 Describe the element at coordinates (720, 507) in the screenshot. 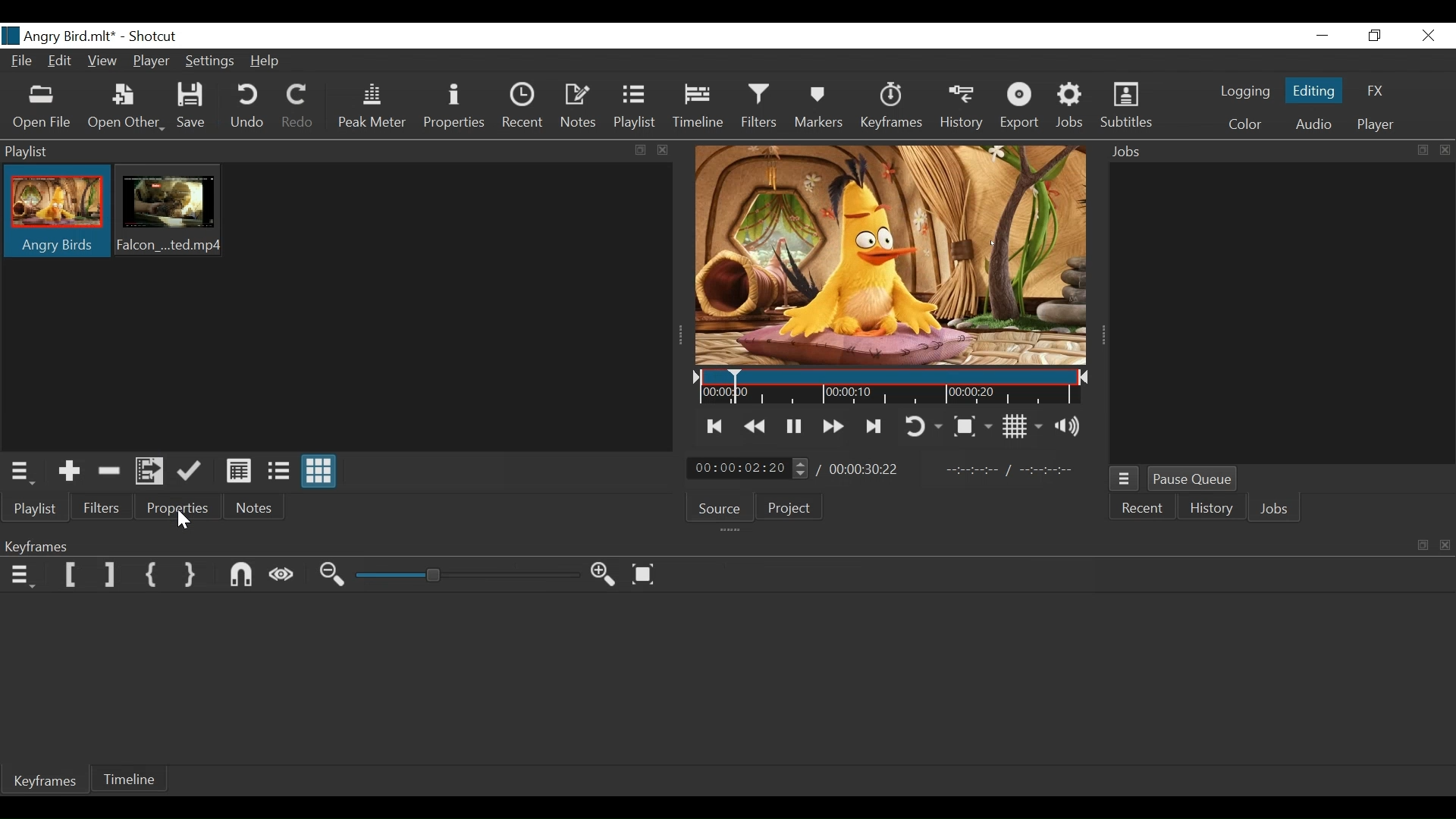

I see `Source` at that location.